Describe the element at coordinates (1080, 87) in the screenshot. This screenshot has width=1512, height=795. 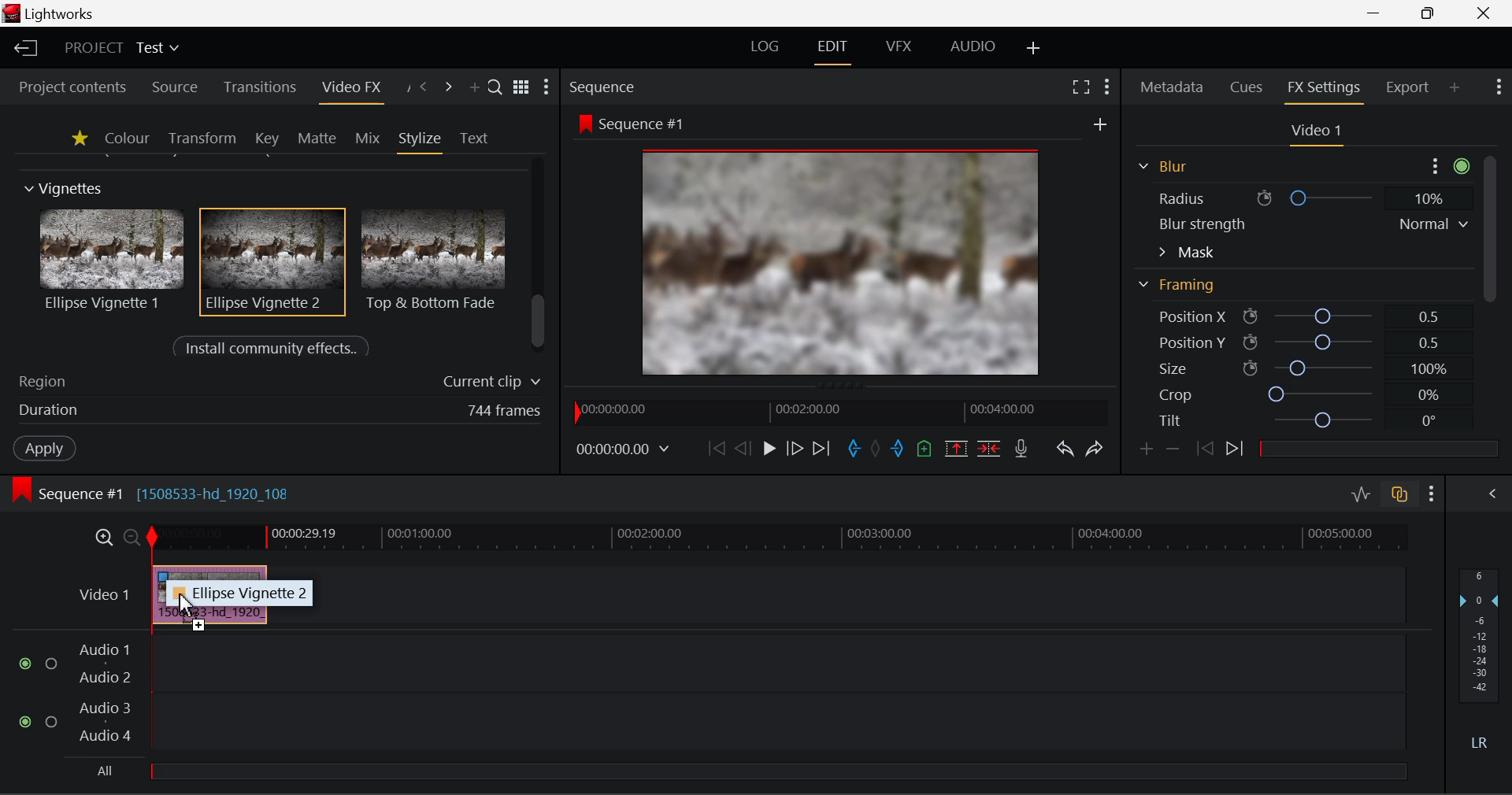
I see `Full Screen` at that location.